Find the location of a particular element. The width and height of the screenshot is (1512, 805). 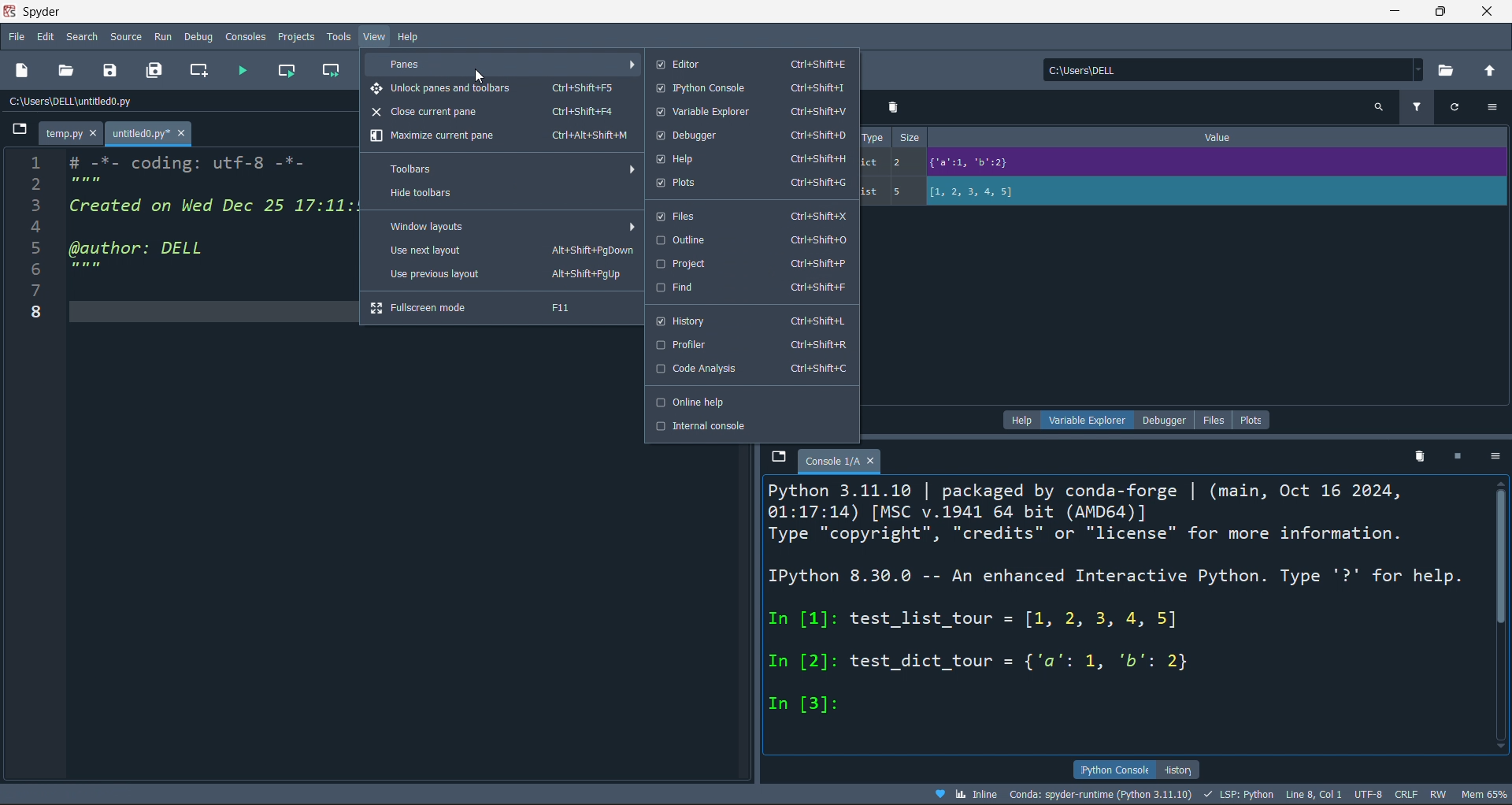

fullscreen mode is located at coordinates (495, 306).